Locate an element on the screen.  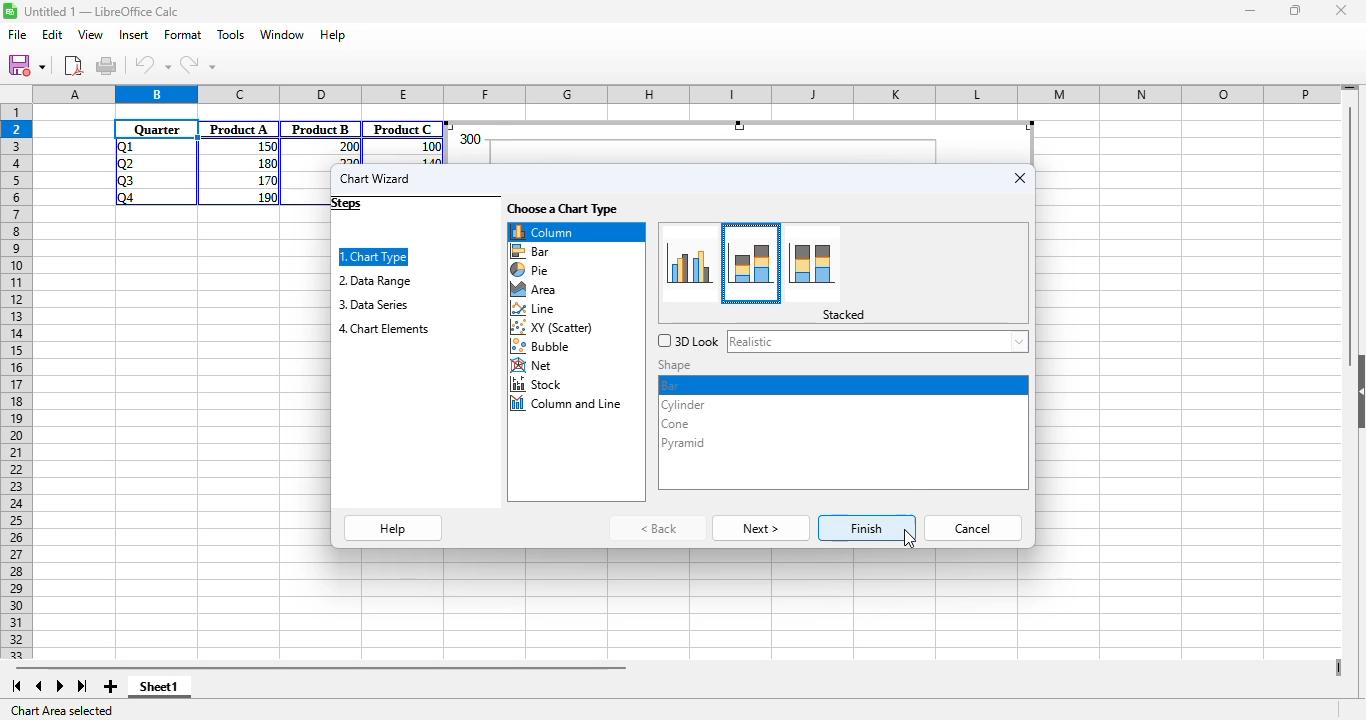
Untitled 1 — LibreOffice Calc is located at coordinates (102, 11).